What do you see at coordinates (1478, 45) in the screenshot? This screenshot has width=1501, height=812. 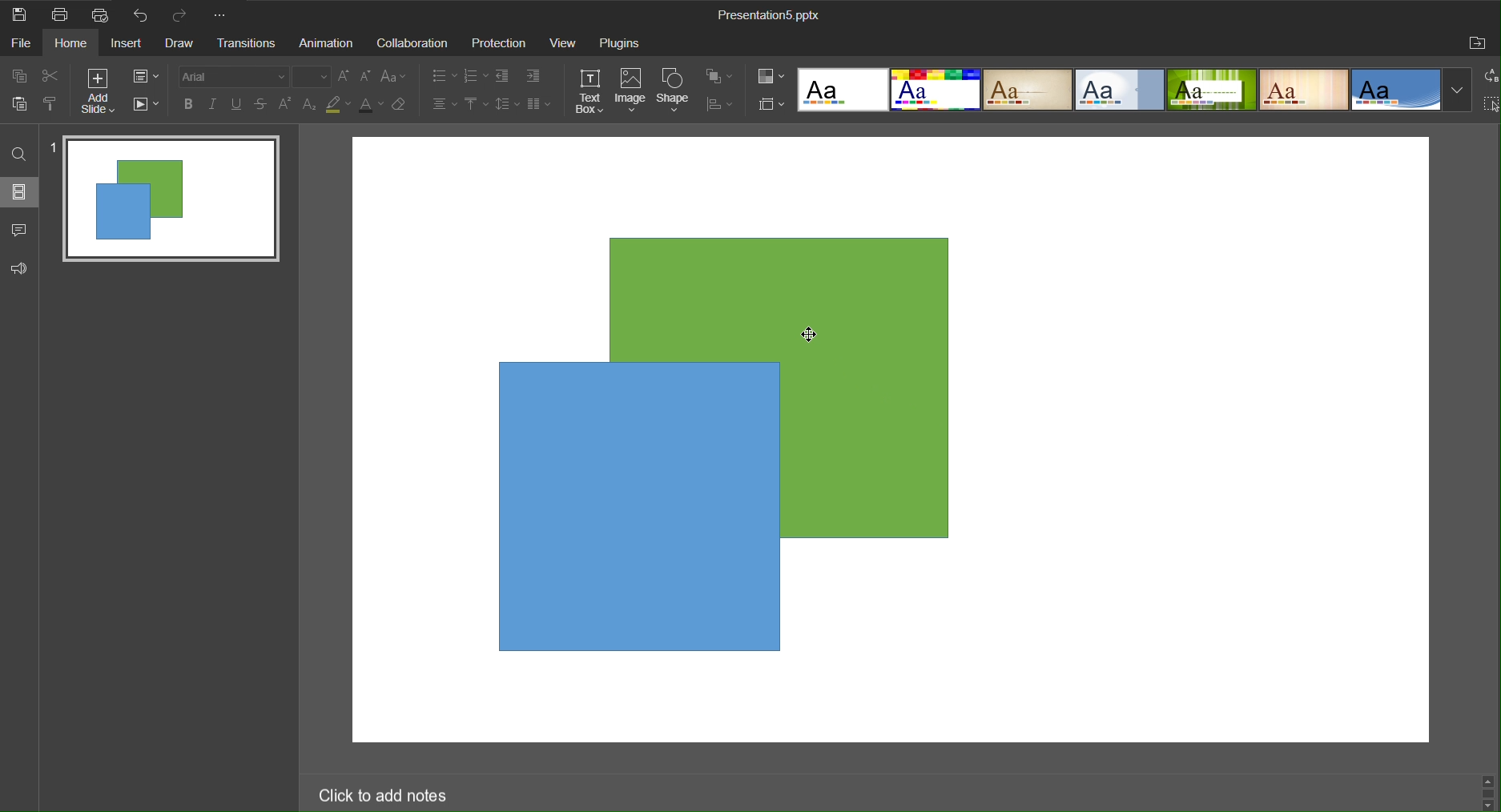 I see `Open File Location` at bounding box center [1478, 45].